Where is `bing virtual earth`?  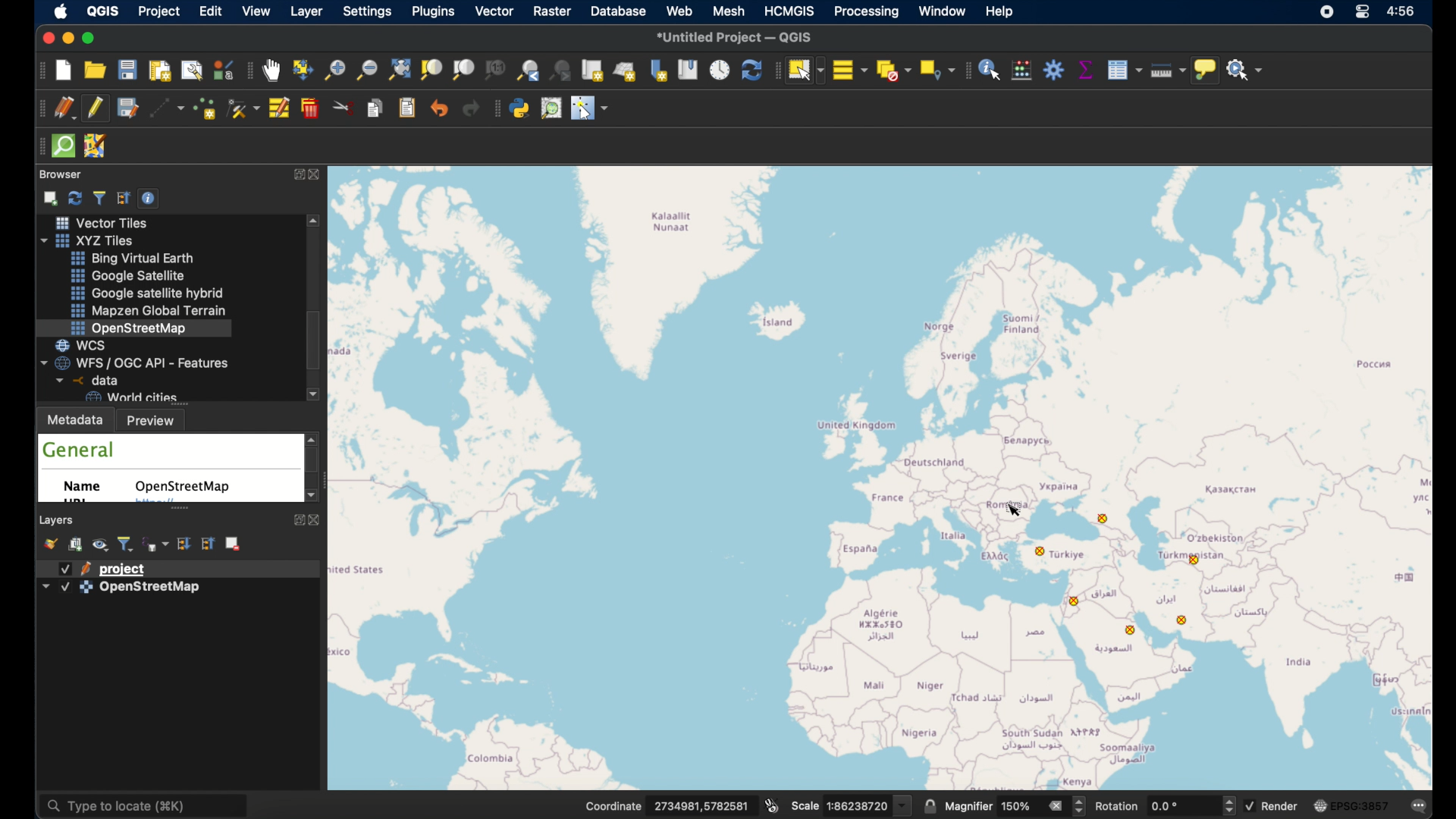 bing virtual earth is located at coordinates (136, 259).